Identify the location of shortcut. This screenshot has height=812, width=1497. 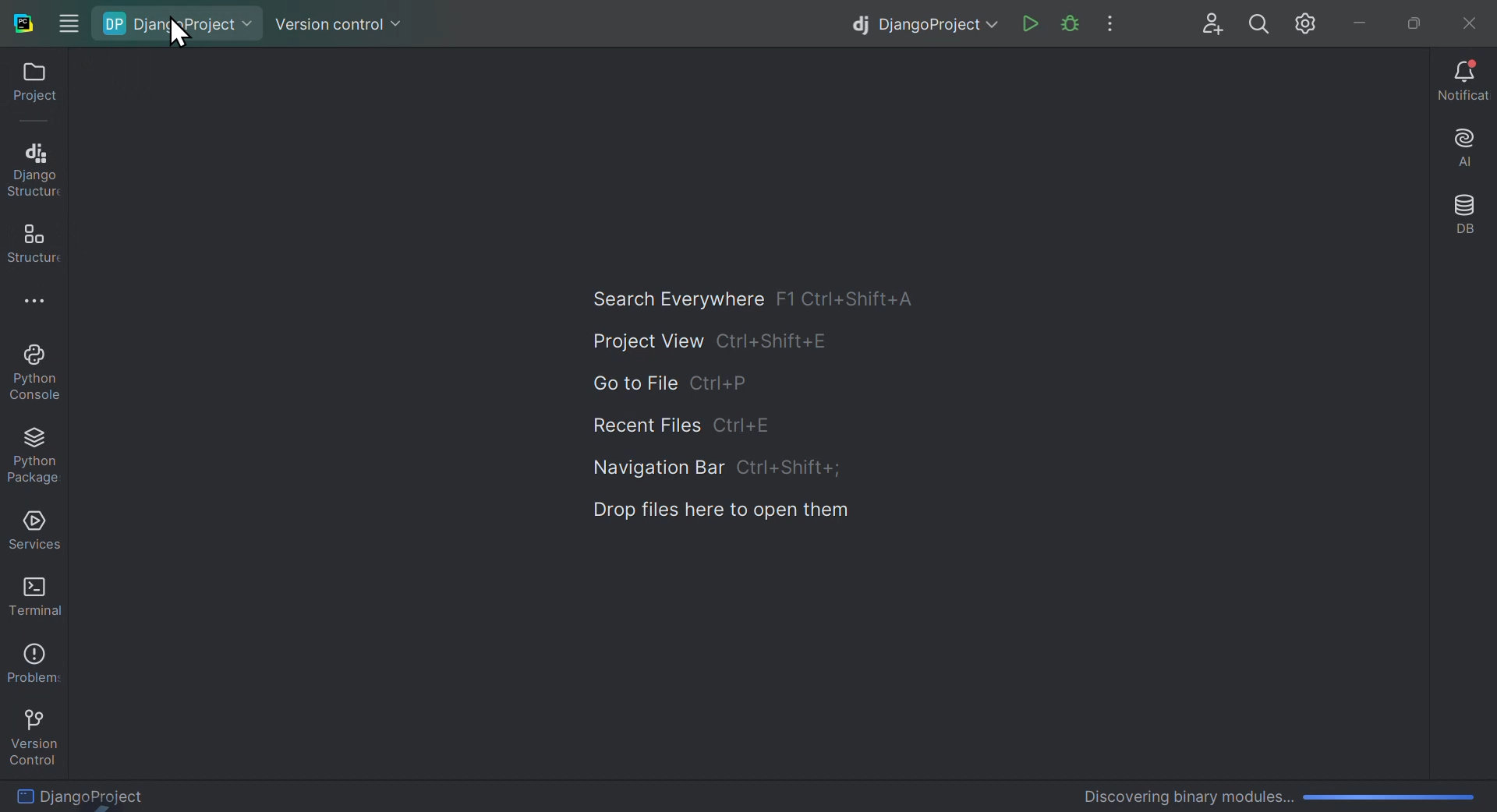
(854, 298).